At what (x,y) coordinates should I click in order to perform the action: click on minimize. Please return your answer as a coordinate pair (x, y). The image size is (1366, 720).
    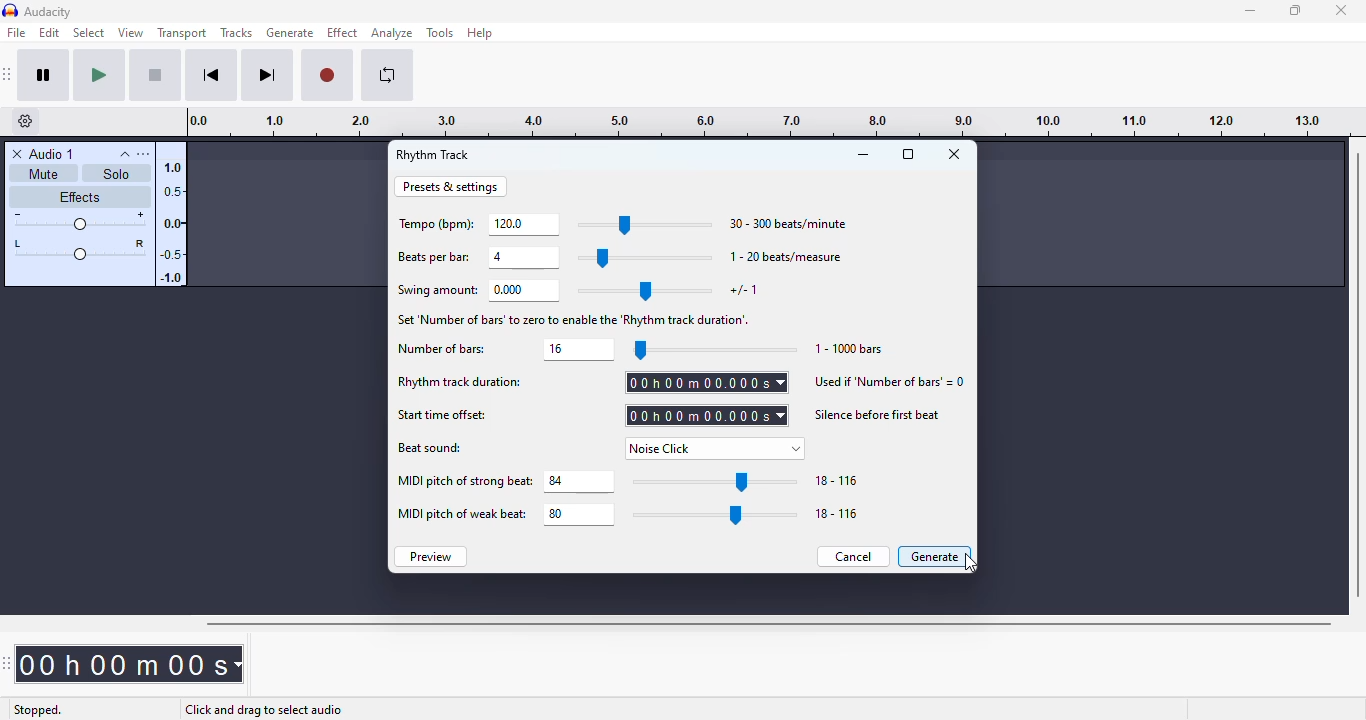
    Looking at the image, I should click on (1252, 11).